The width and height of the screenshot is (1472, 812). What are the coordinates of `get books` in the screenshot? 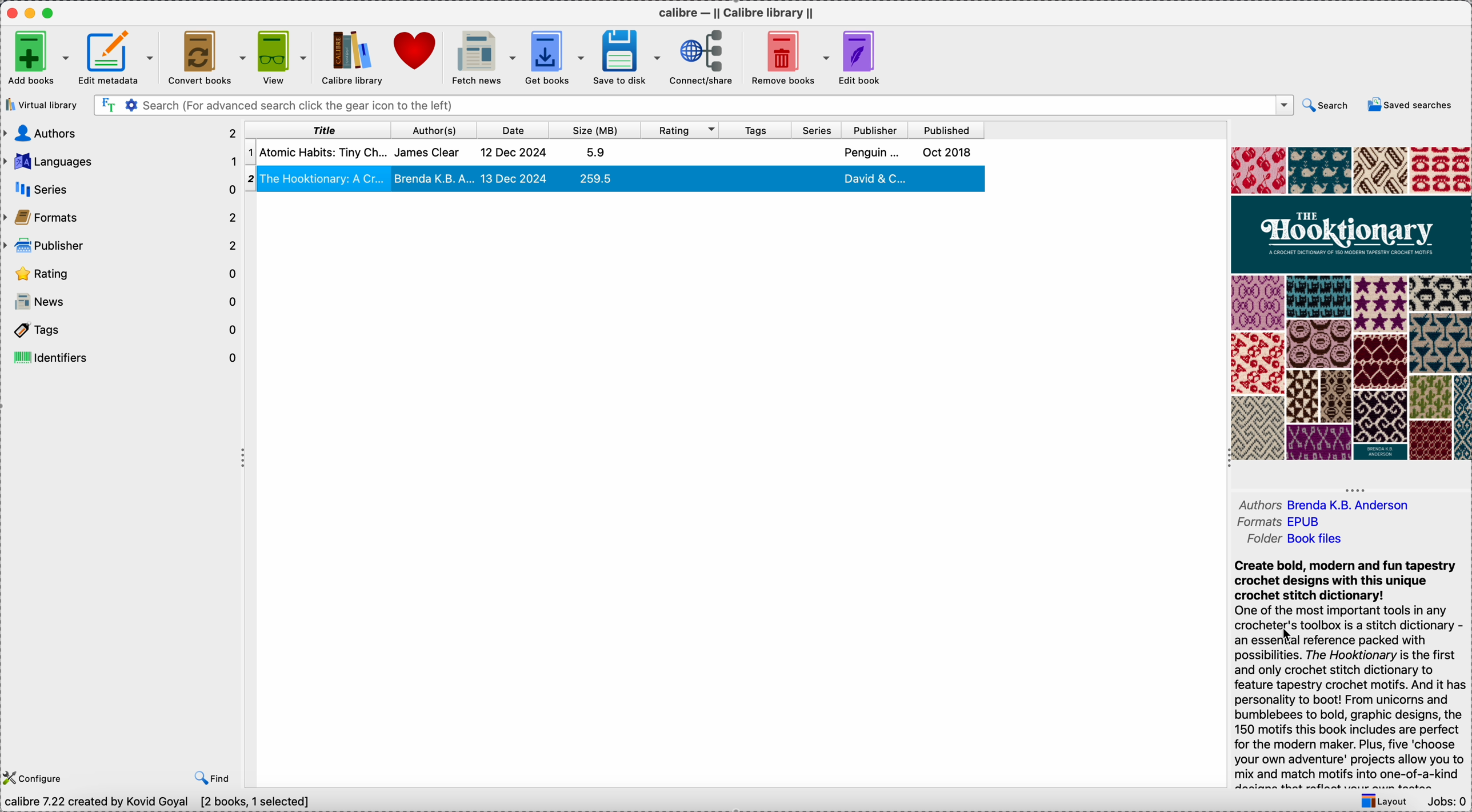 It's located at (559, 56).